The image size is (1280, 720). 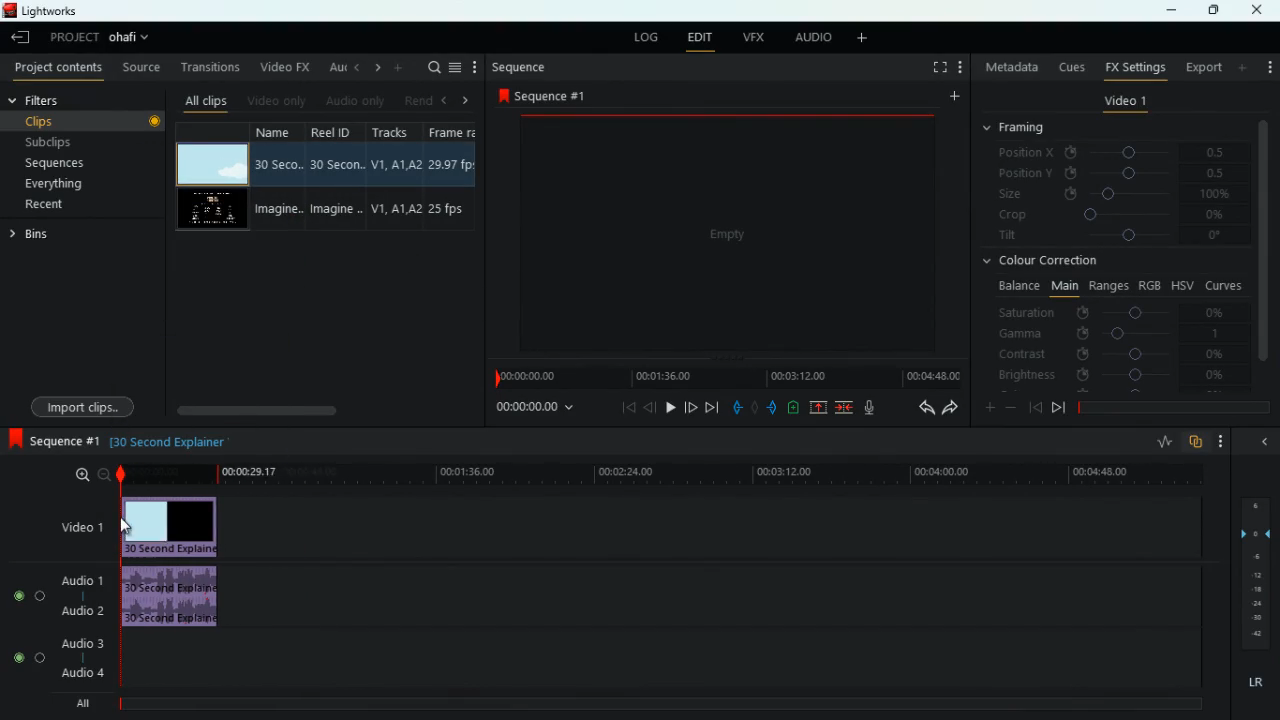 I want to click on minimize, so click(x=1175, y=10).